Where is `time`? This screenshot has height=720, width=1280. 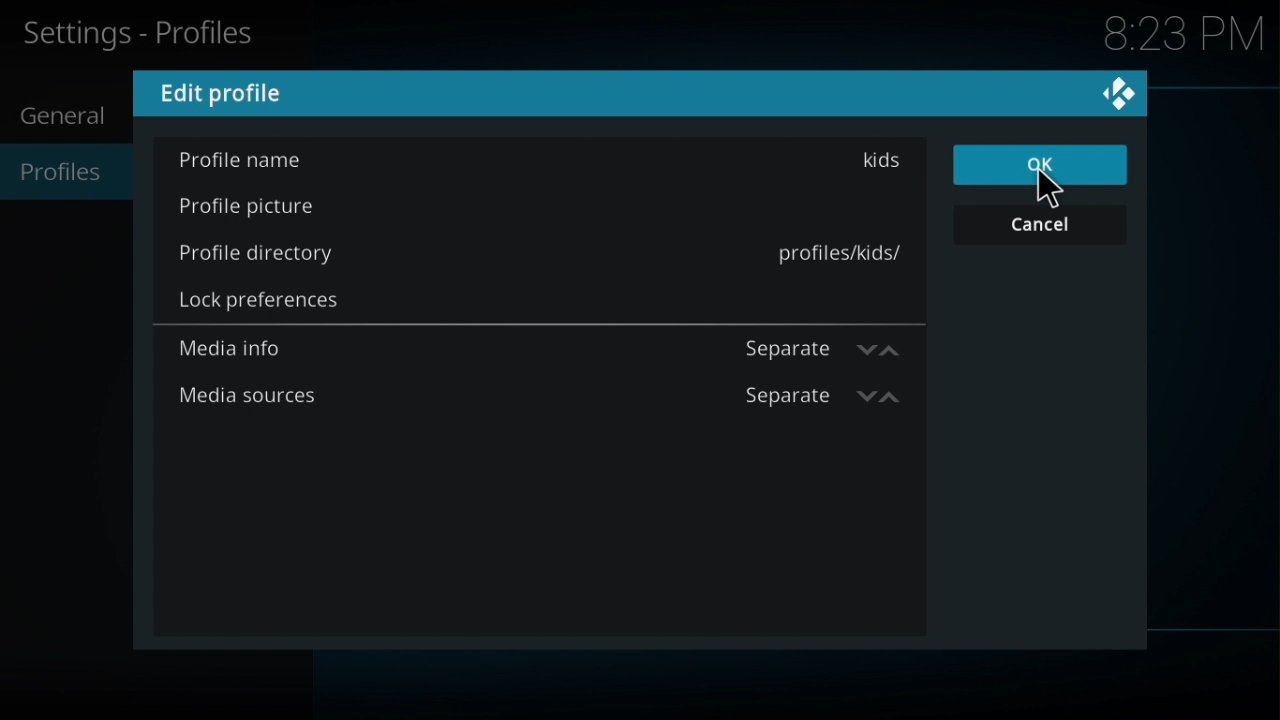 time is located at coordinates (1179, 35).